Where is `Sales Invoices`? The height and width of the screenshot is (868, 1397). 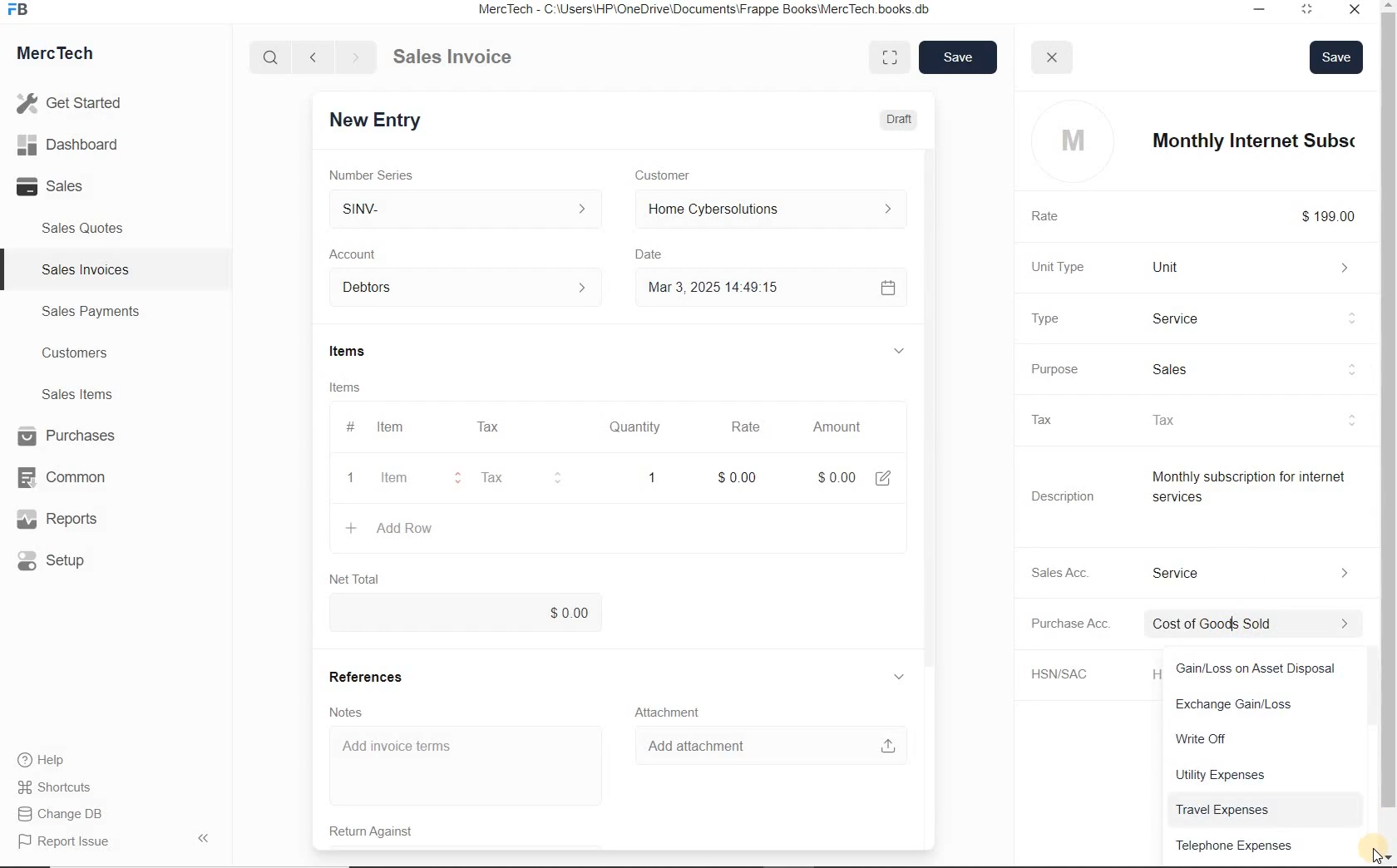
Sales Invoices is located at coordinates (86, 269).